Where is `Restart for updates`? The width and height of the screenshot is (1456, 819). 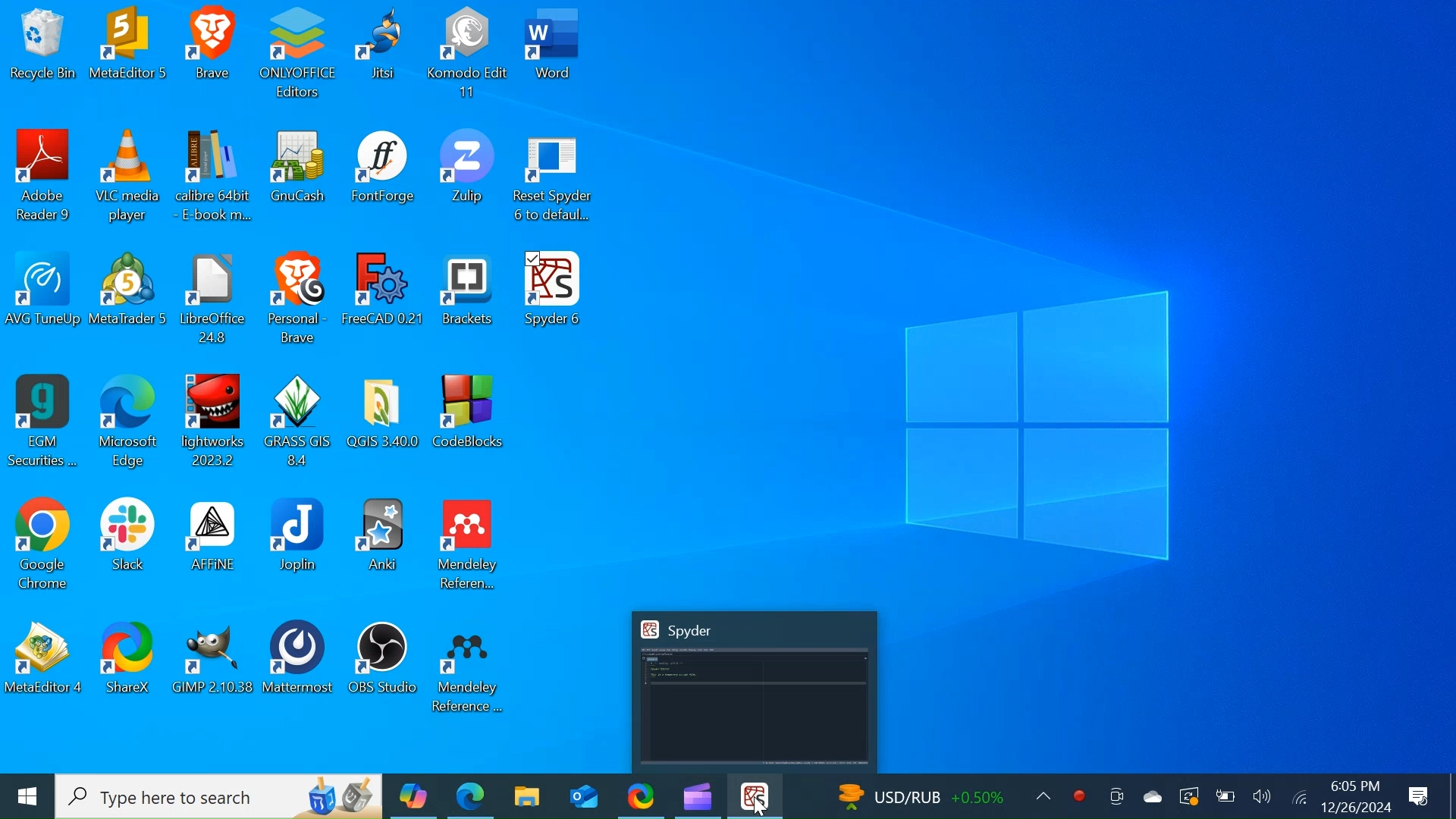 Restart for updates is located at coordinates (1187, 796).